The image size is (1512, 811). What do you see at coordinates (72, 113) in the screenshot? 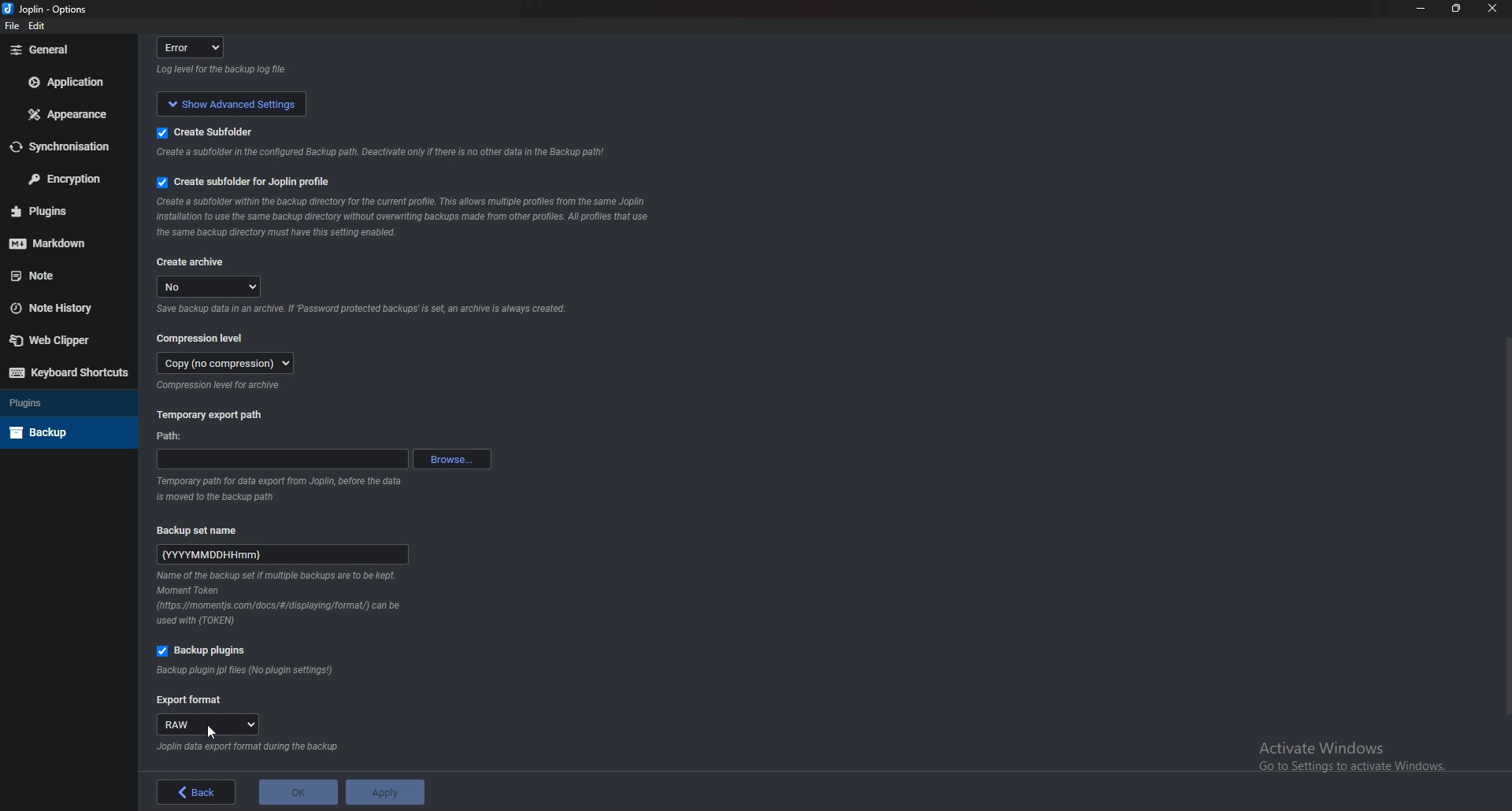
I see `Appearance` at bounding box center [72, 113].